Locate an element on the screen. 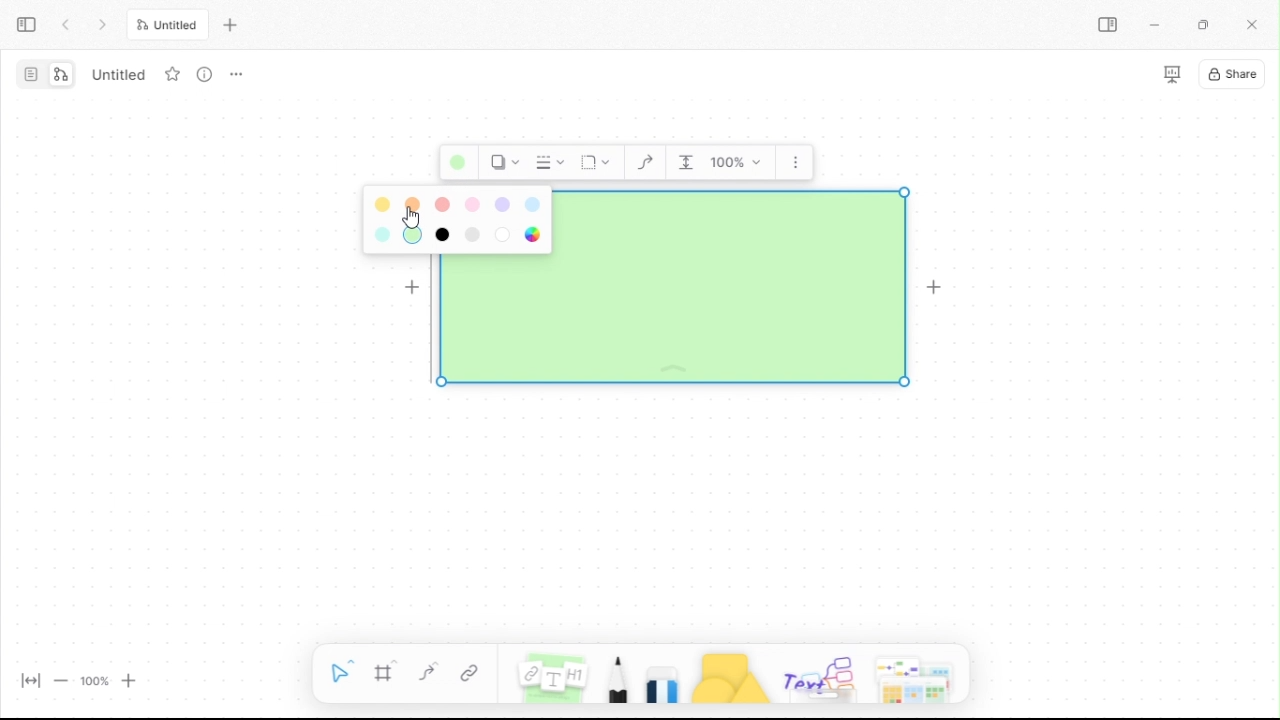 This screenshot has height=720, width=1280. Indentation is located at coordinates (686, 163).